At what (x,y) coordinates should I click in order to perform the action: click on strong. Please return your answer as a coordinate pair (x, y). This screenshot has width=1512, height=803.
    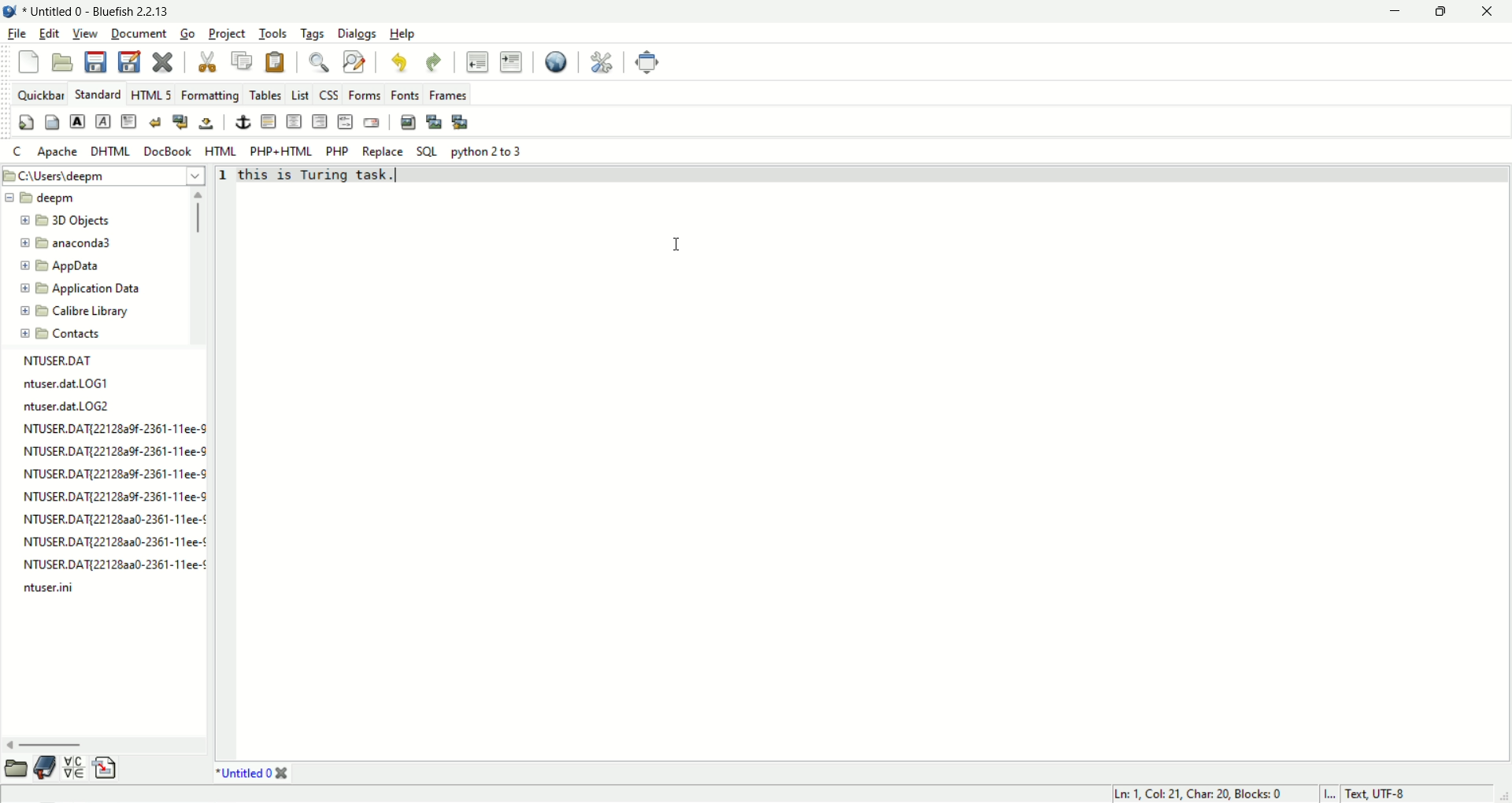
    Looking at the image, I should click on (78, 121).